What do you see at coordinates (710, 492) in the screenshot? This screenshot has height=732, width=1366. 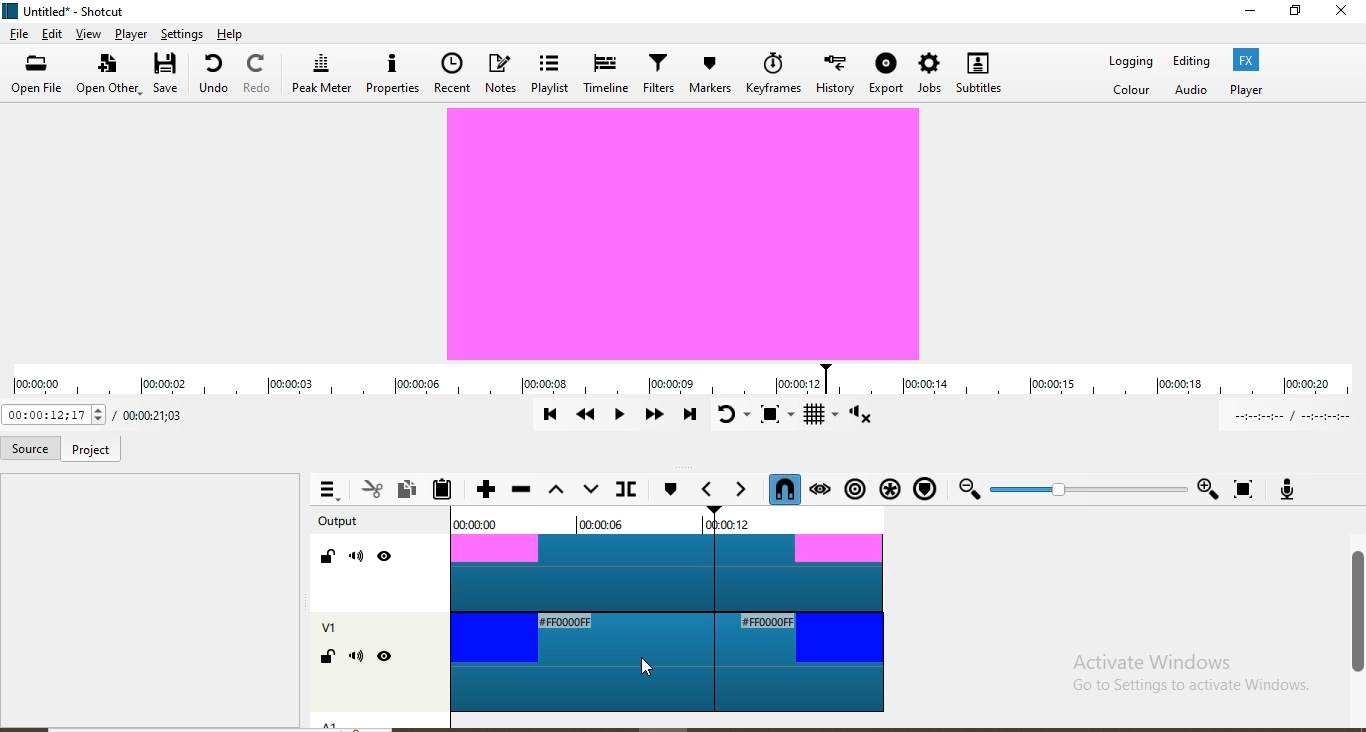 I see `Previous marker` at bounding box center [710, 492].